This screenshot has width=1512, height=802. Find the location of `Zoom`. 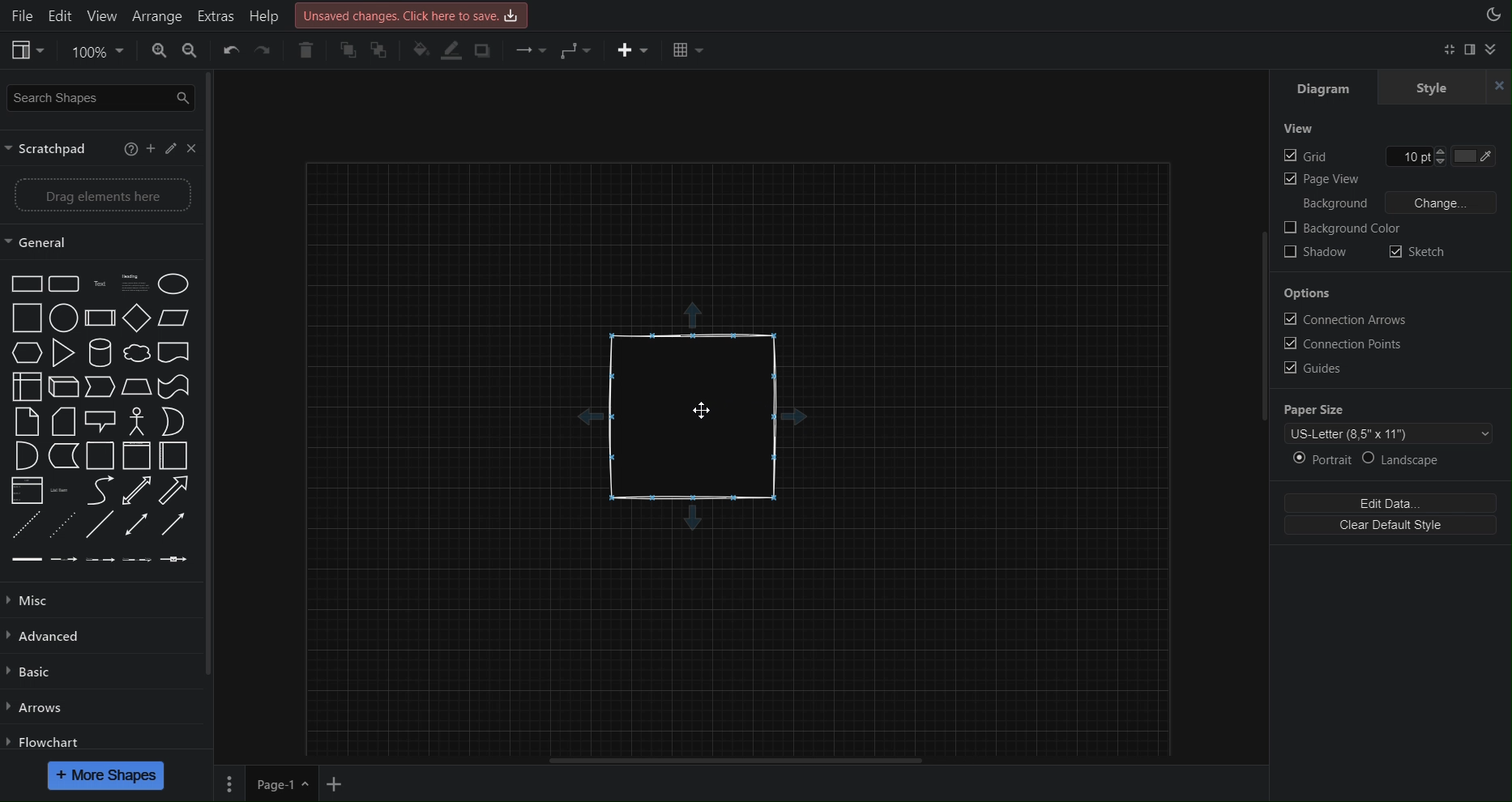

Zoom is located at coordinates (99, 52).